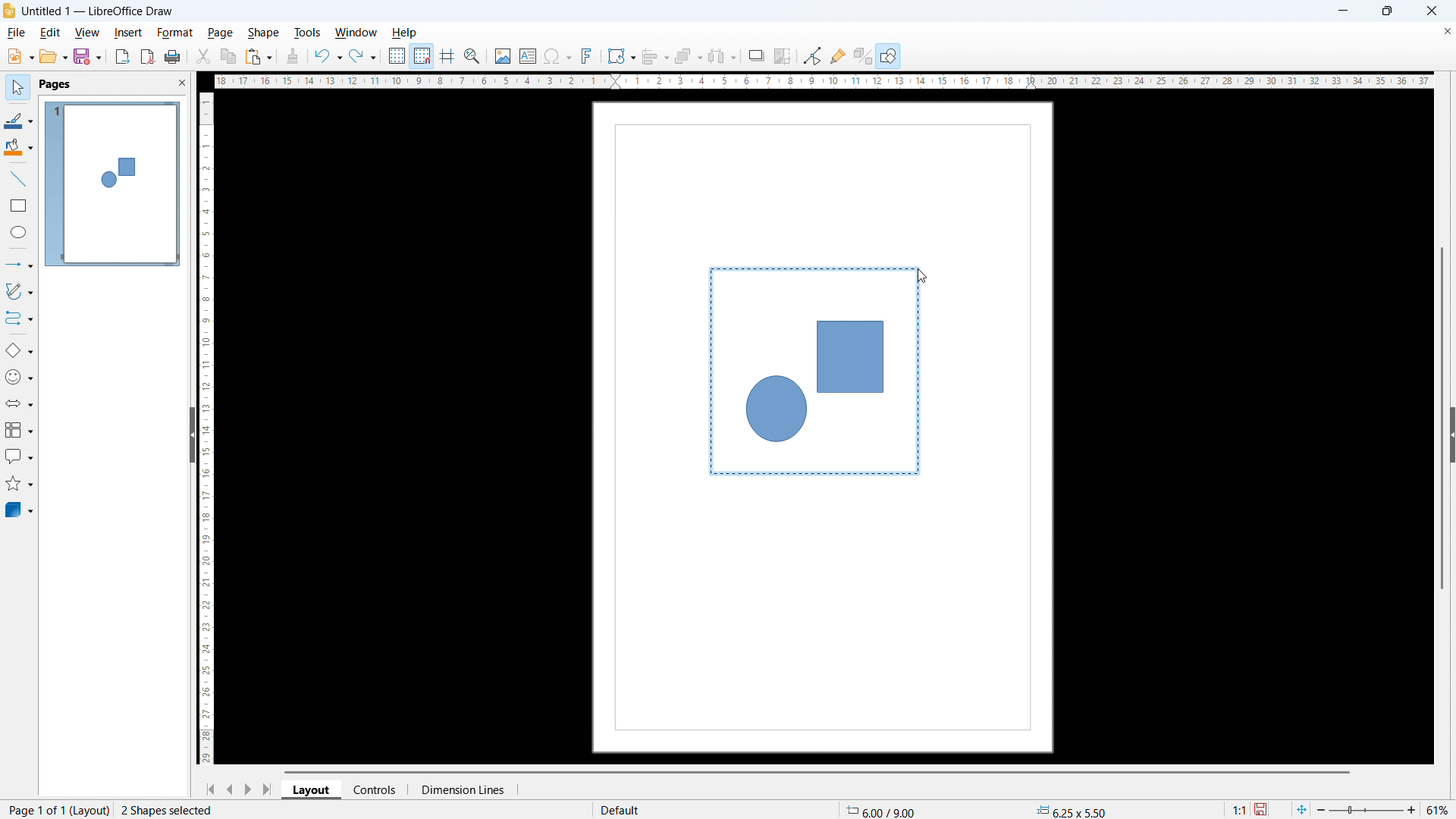 The height and width of the screenshot is (819, 1456). What do you see at coordinates (20, 350) in the screenshot?
I see `basic shapes` at bounding box center [20, 350].